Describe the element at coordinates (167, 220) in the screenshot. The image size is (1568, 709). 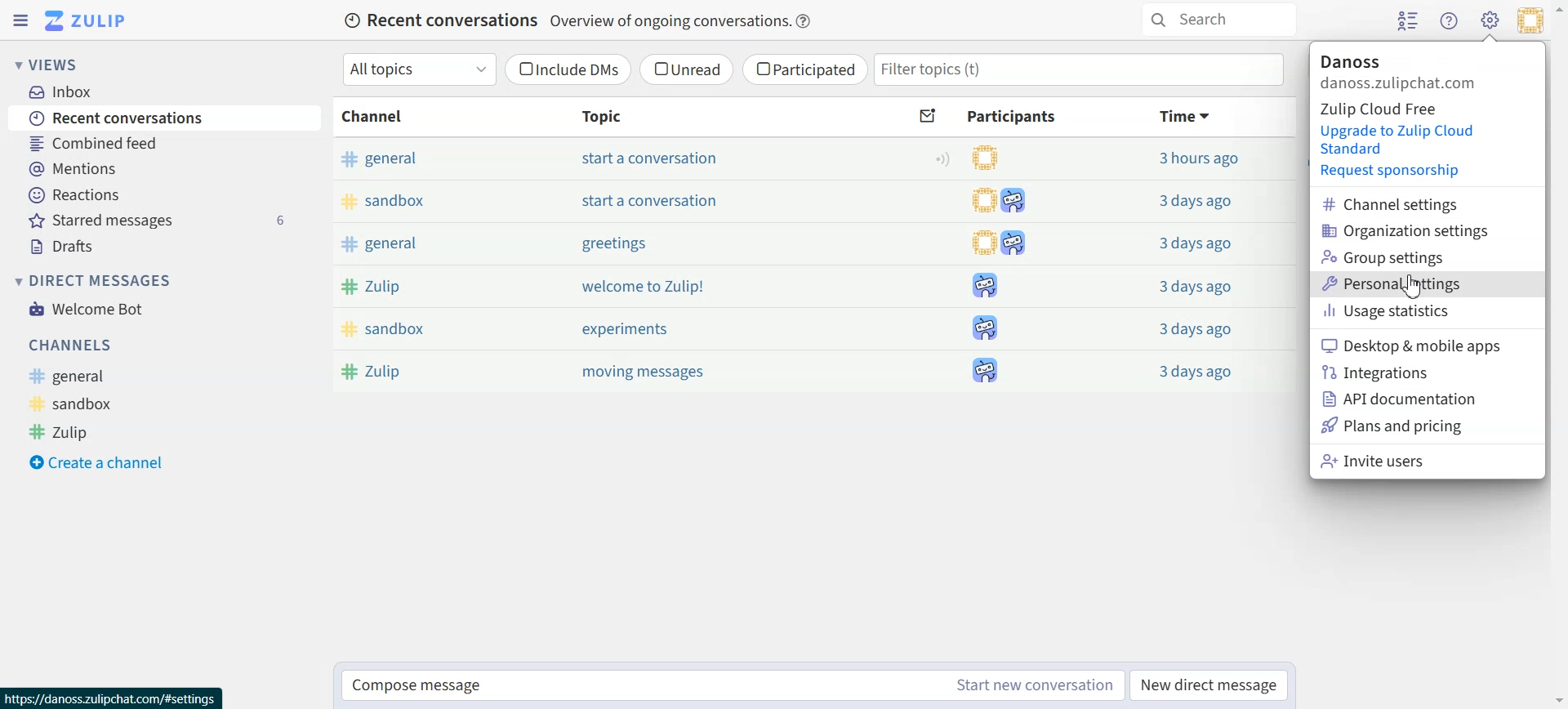
I see `Starred messages` at that location.